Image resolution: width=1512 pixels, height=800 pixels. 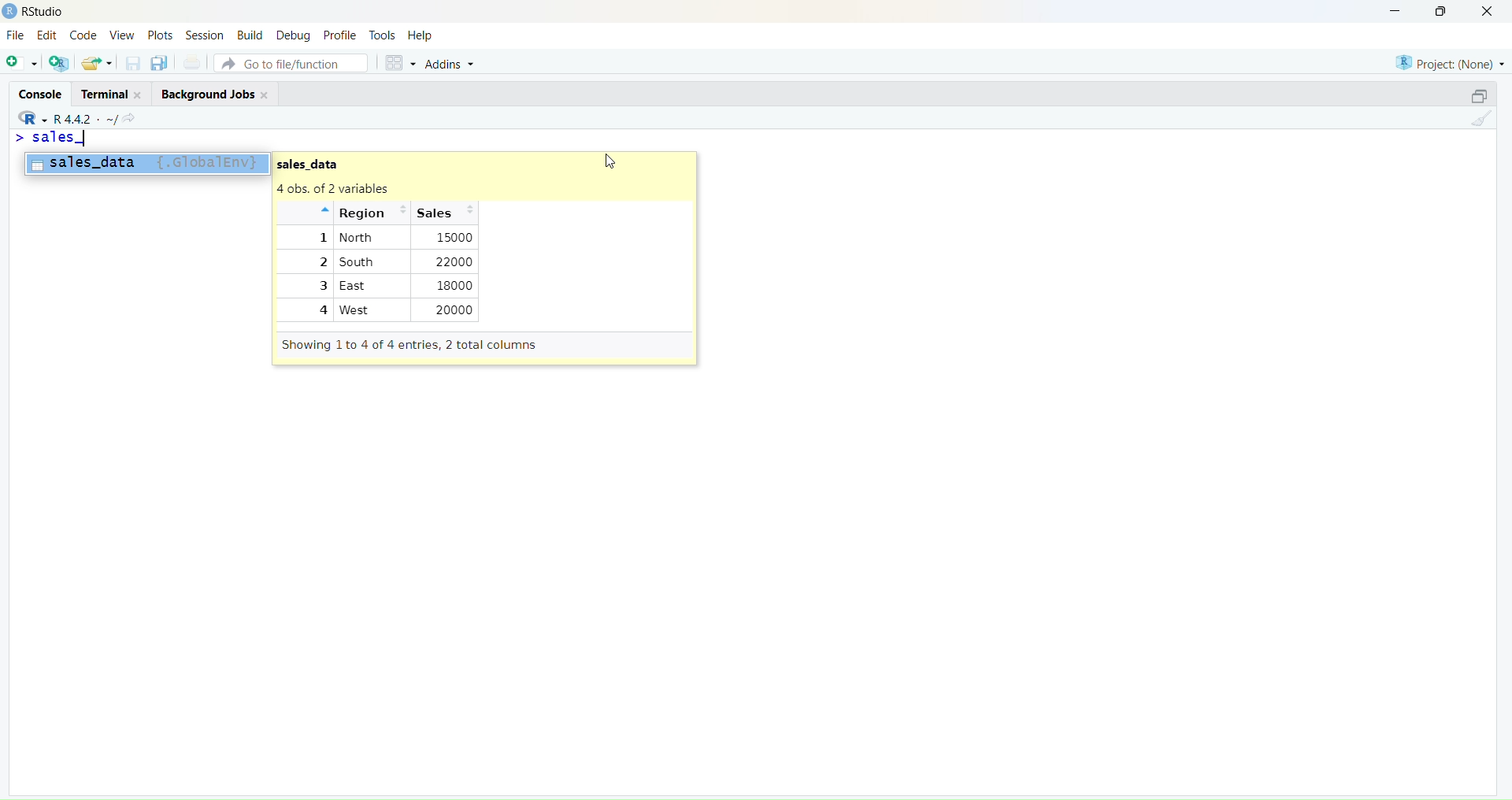 I want to click on tools, so click(x=382, y=35).